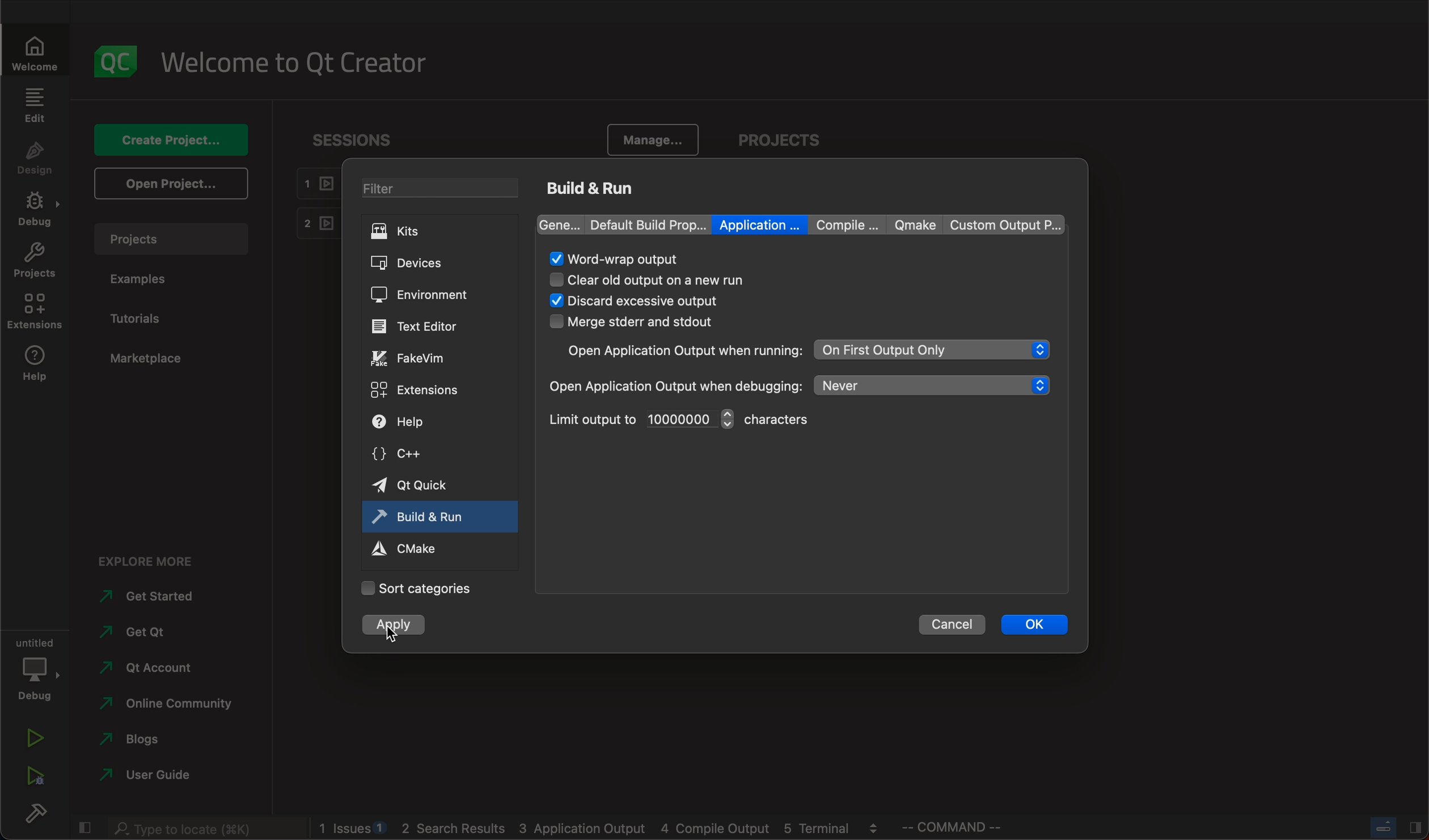 This screenshot has width=1429, height=840. What do you see at coordinates (34, 779) in the screenshot?
I see `run debug` at bounding box center [34, 779].